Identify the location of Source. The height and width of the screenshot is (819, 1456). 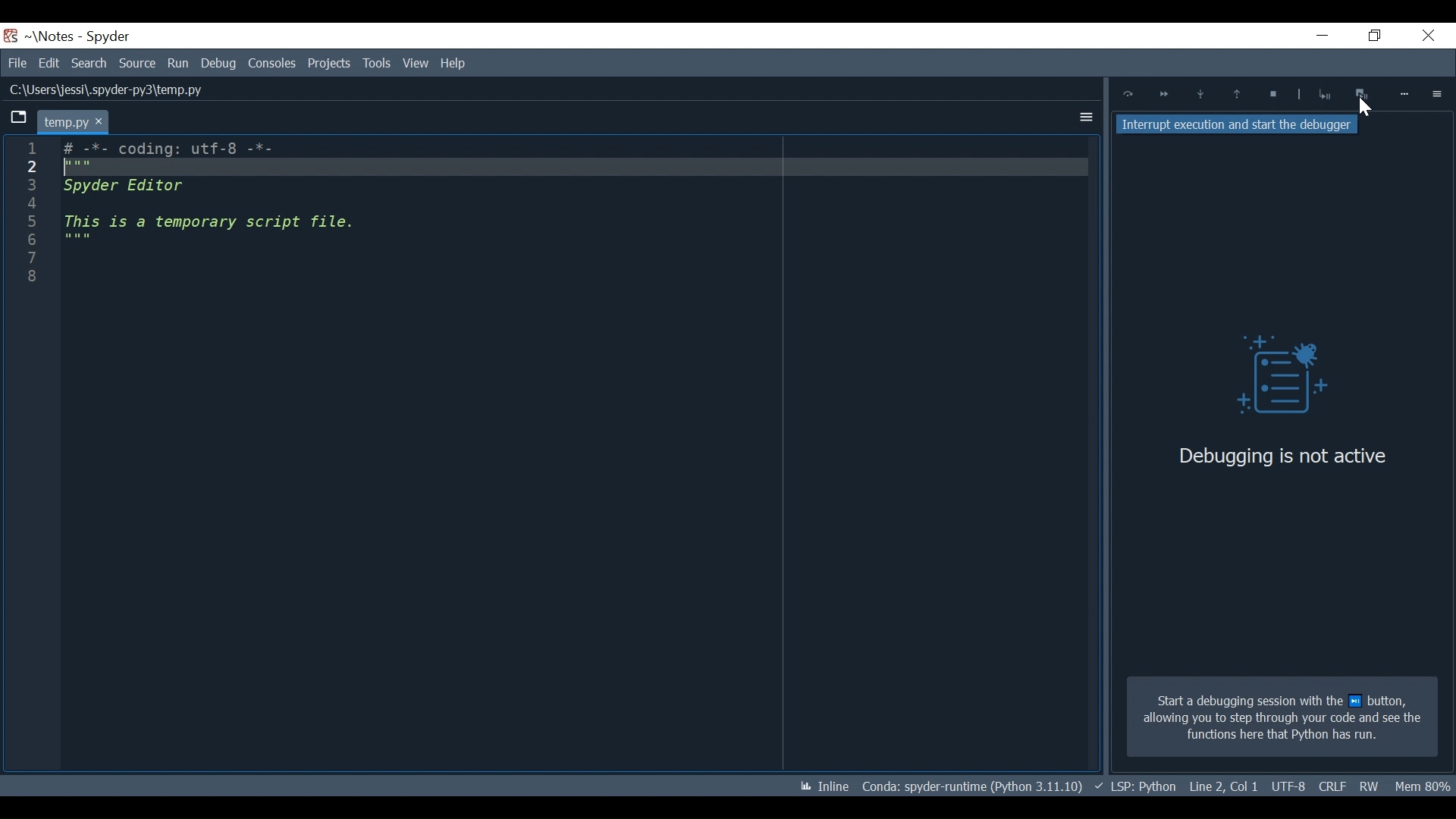
(138, 64).